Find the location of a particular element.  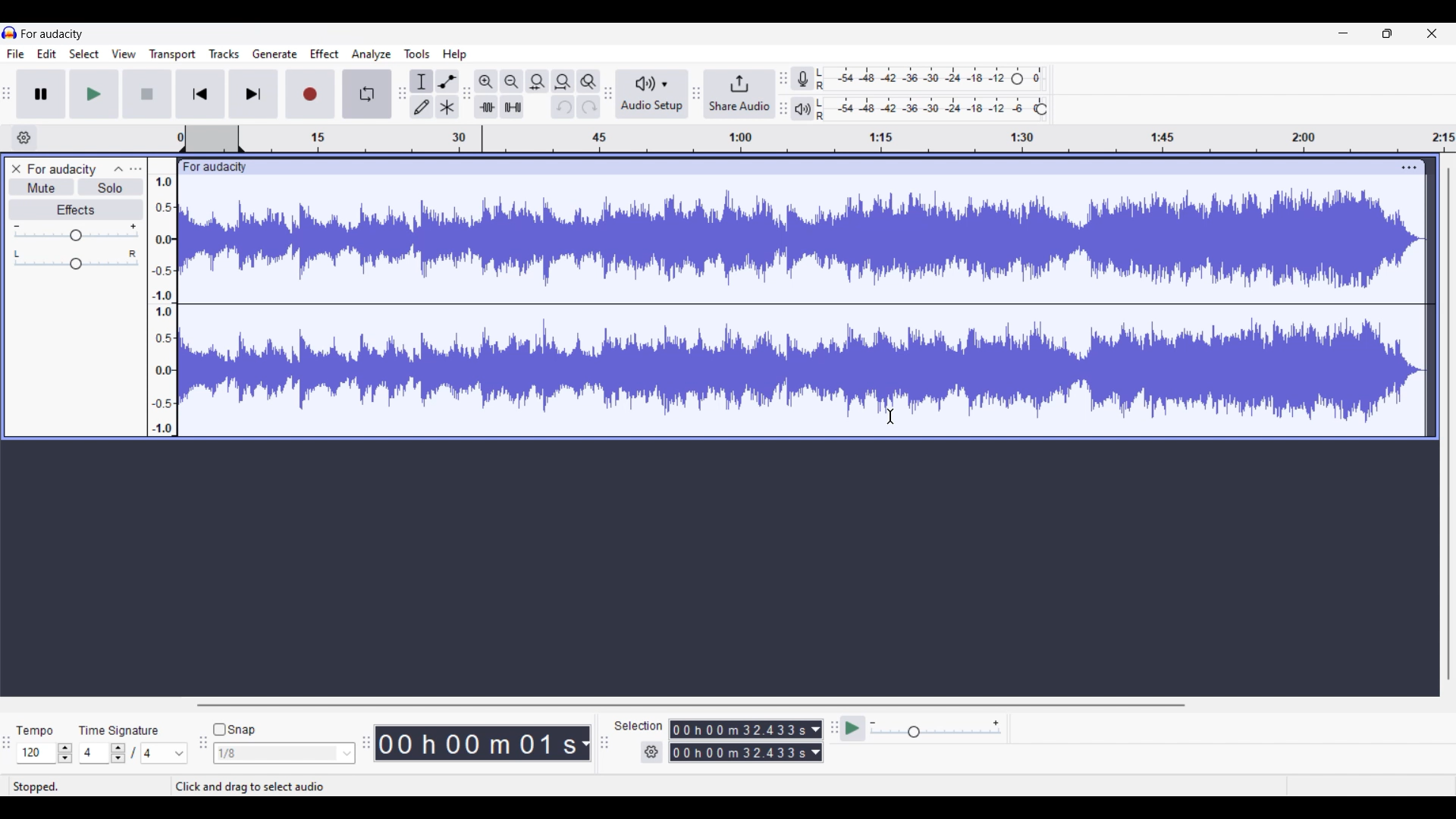

Share audio is located at coordinates (740, 93).